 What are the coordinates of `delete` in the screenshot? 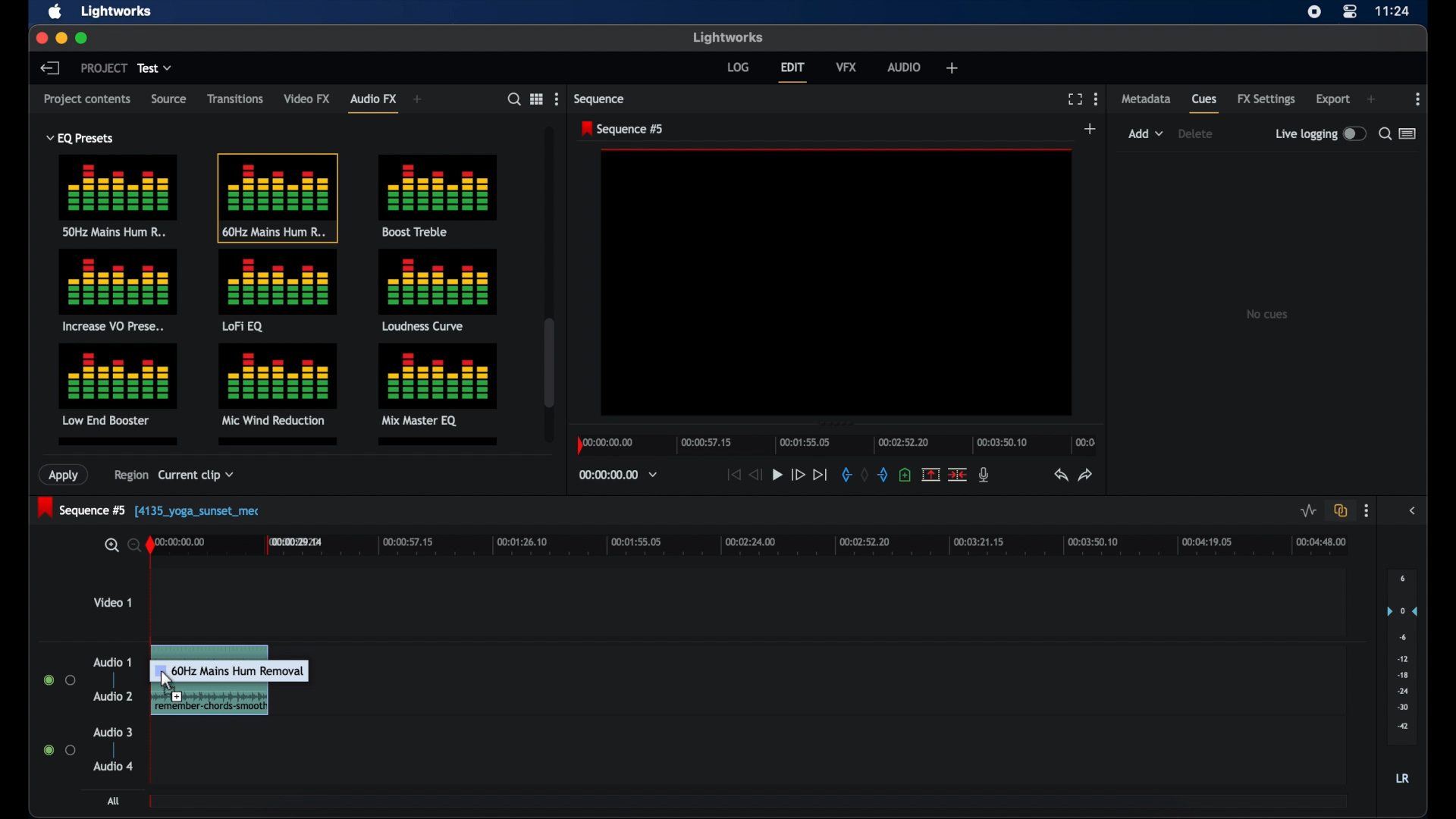 It's located at (1195, 133).